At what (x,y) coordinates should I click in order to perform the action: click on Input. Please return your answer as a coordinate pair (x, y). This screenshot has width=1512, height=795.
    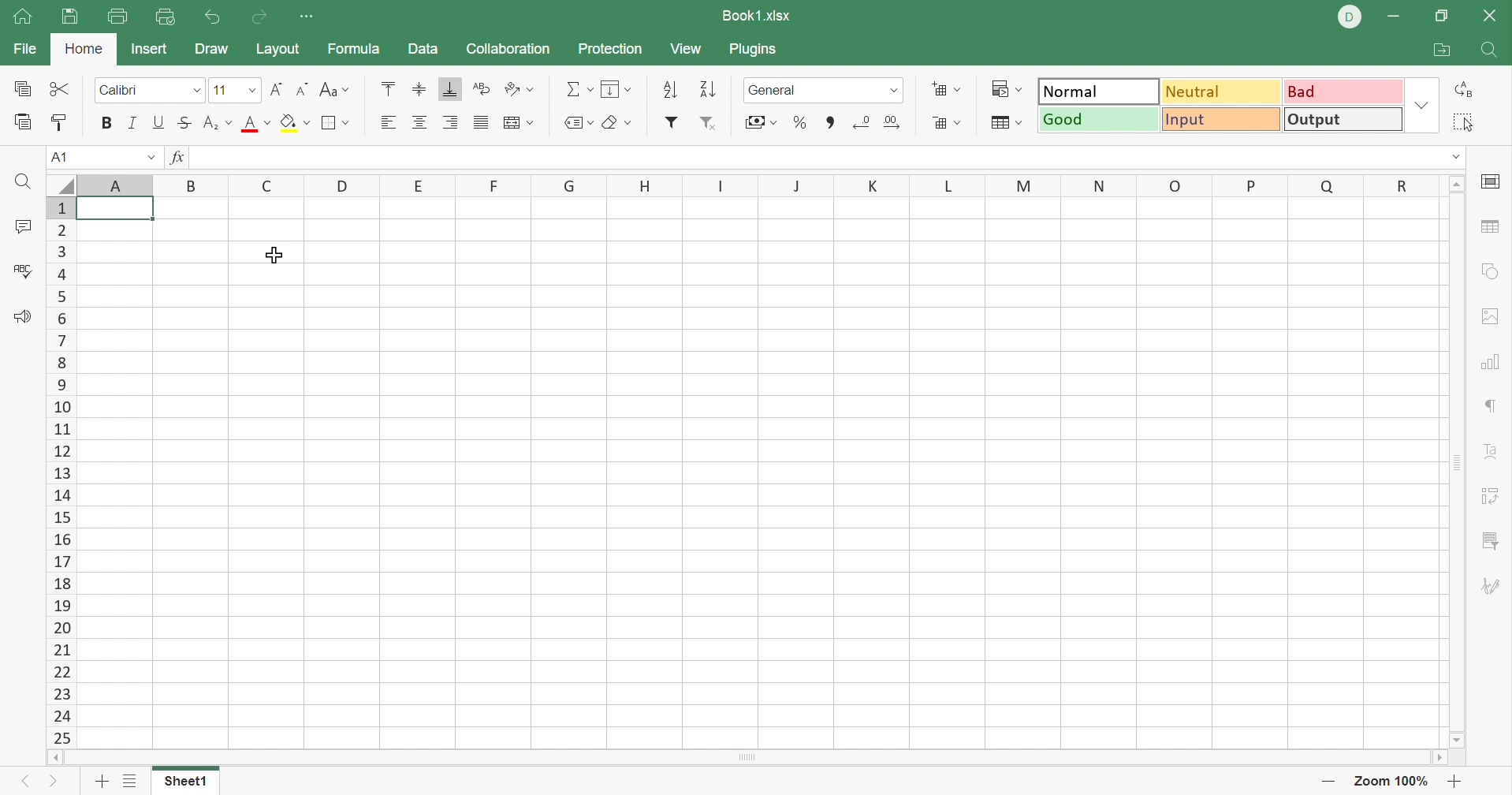
    Looking at the image, I should click on (1220, 120).